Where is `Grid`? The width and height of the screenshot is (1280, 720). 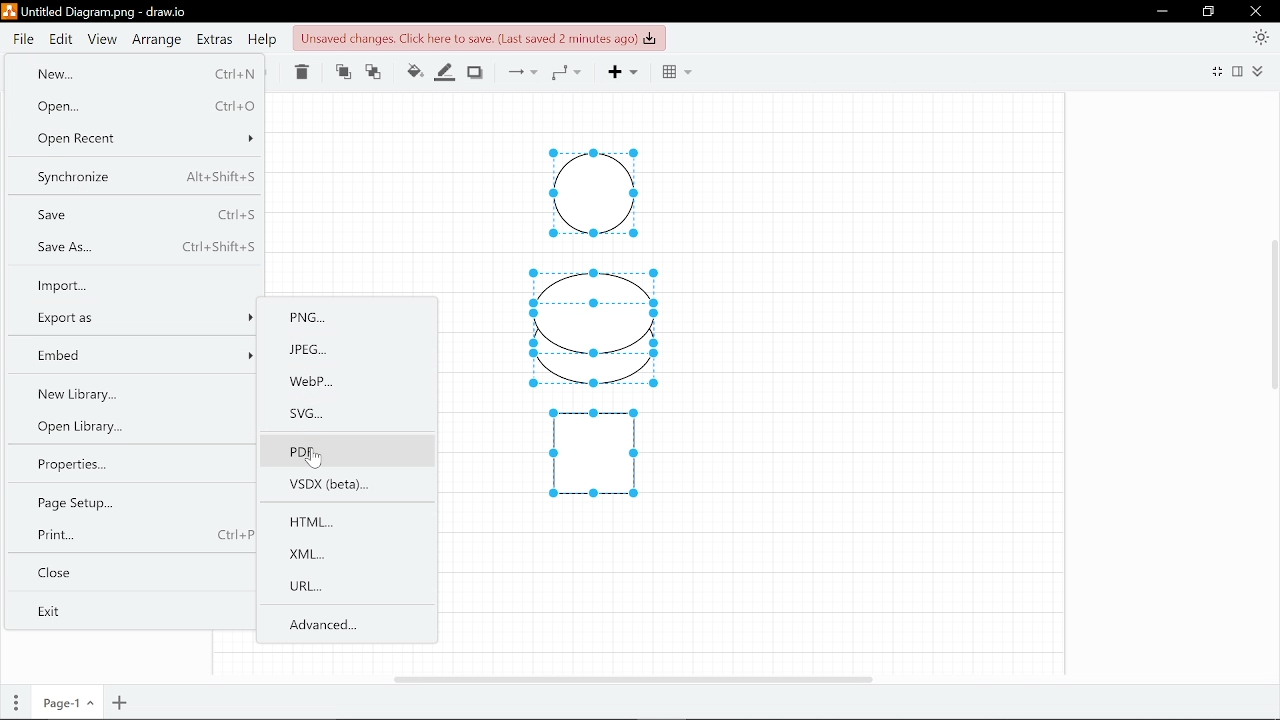 Grid is located at coordinates (675, 72).